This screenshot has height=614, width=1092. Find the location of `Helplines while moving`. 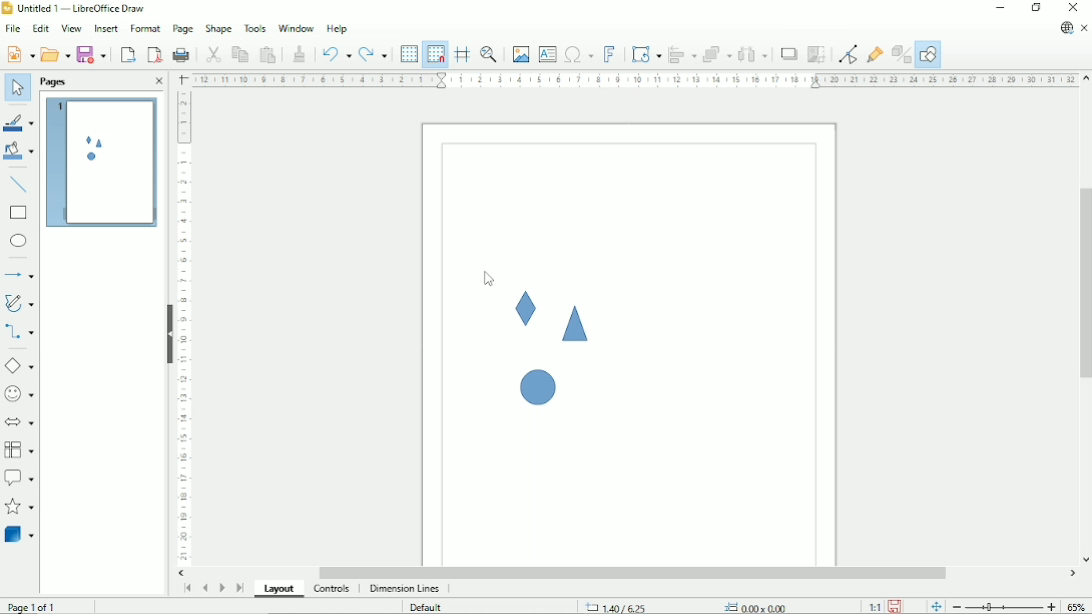

Helplines while moving is located at coordinates (461, 54).